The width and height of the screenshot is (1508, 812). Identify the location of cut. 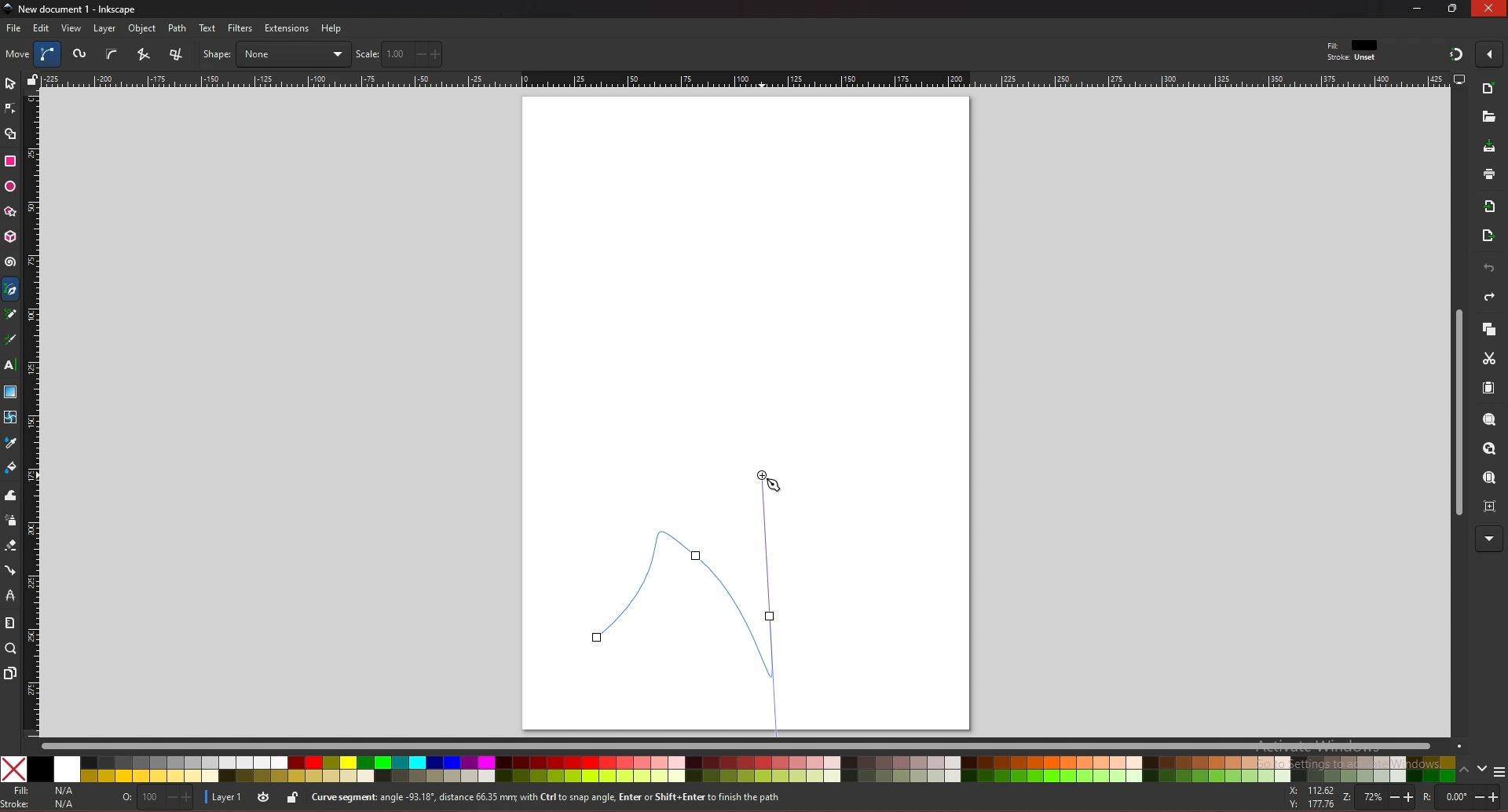
(1489, 359).